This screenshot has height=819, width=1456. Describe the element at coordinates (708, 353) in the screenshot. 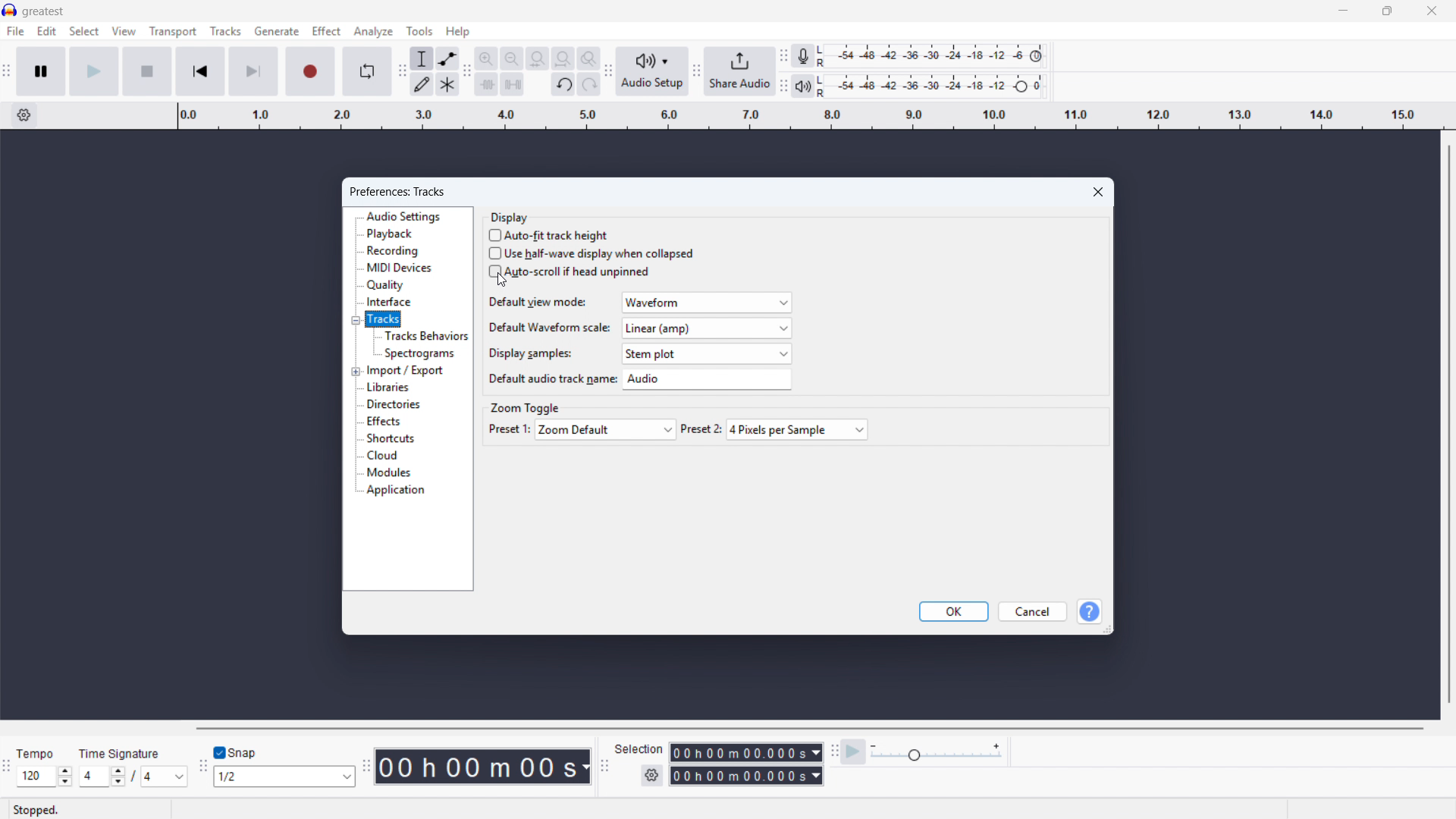

I see `Display samples ` at that location.